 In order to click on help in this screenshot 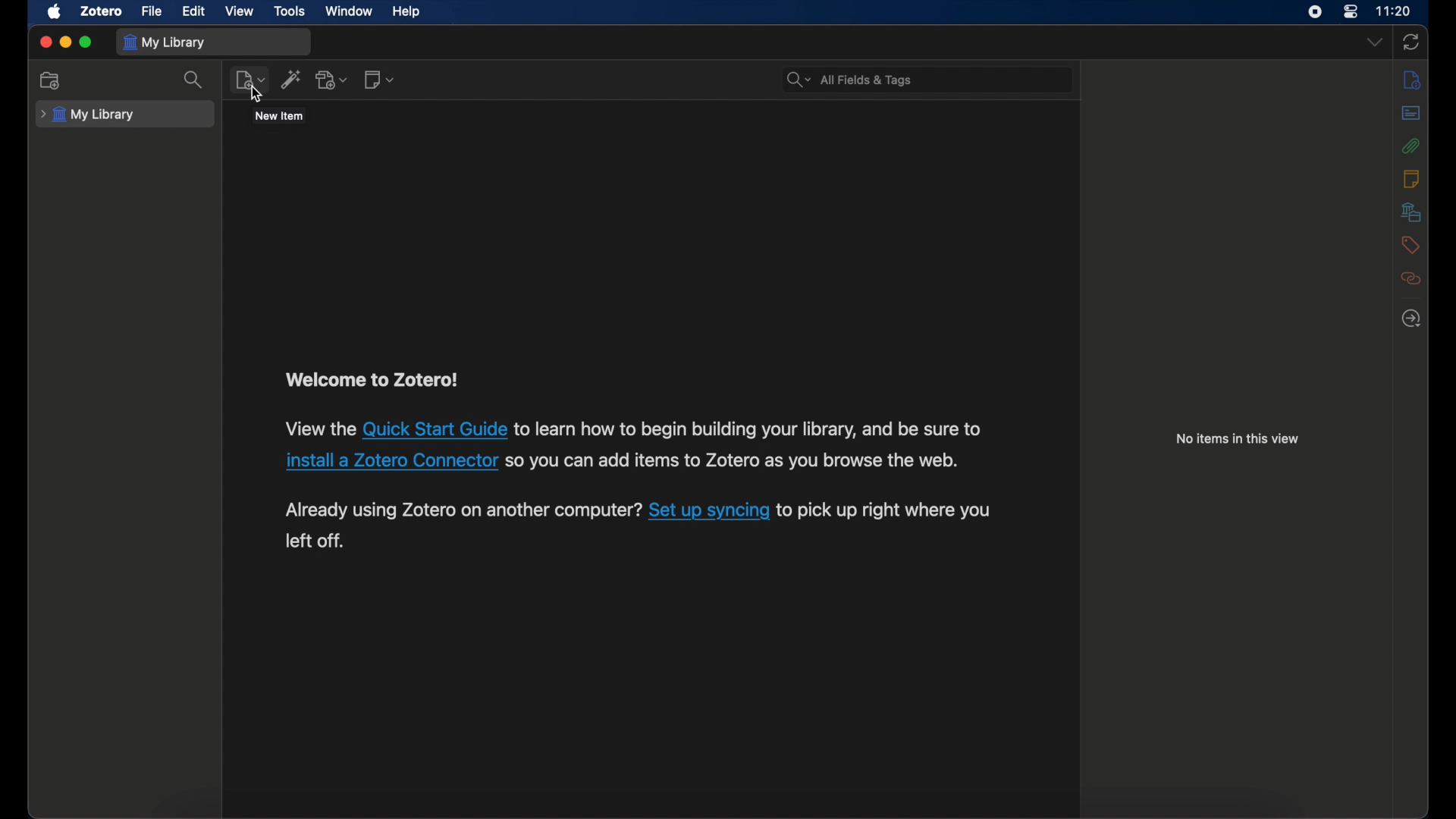, I will do `click(406, 12)`.